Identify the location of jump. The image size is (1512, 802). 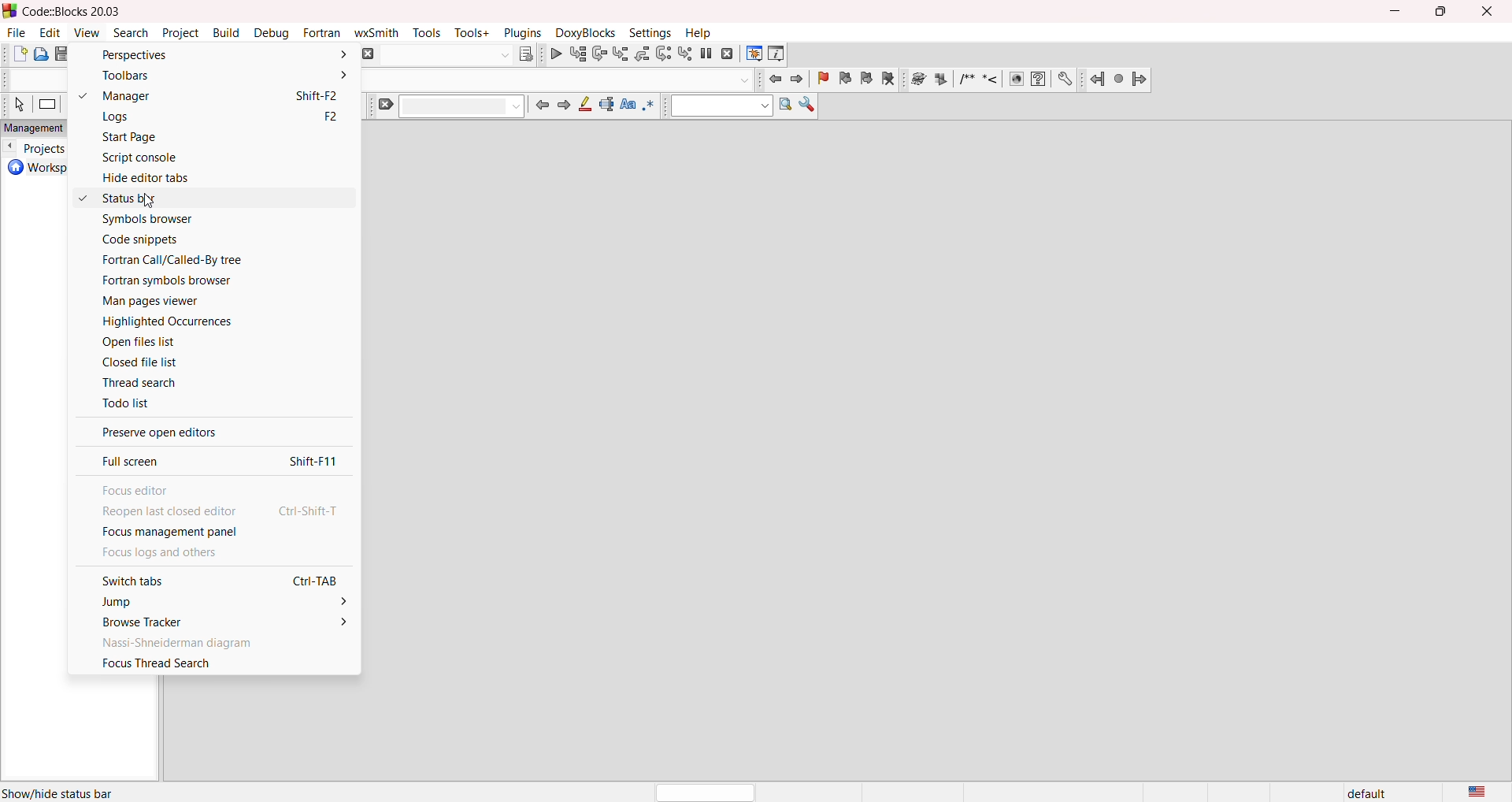
(209, 601).